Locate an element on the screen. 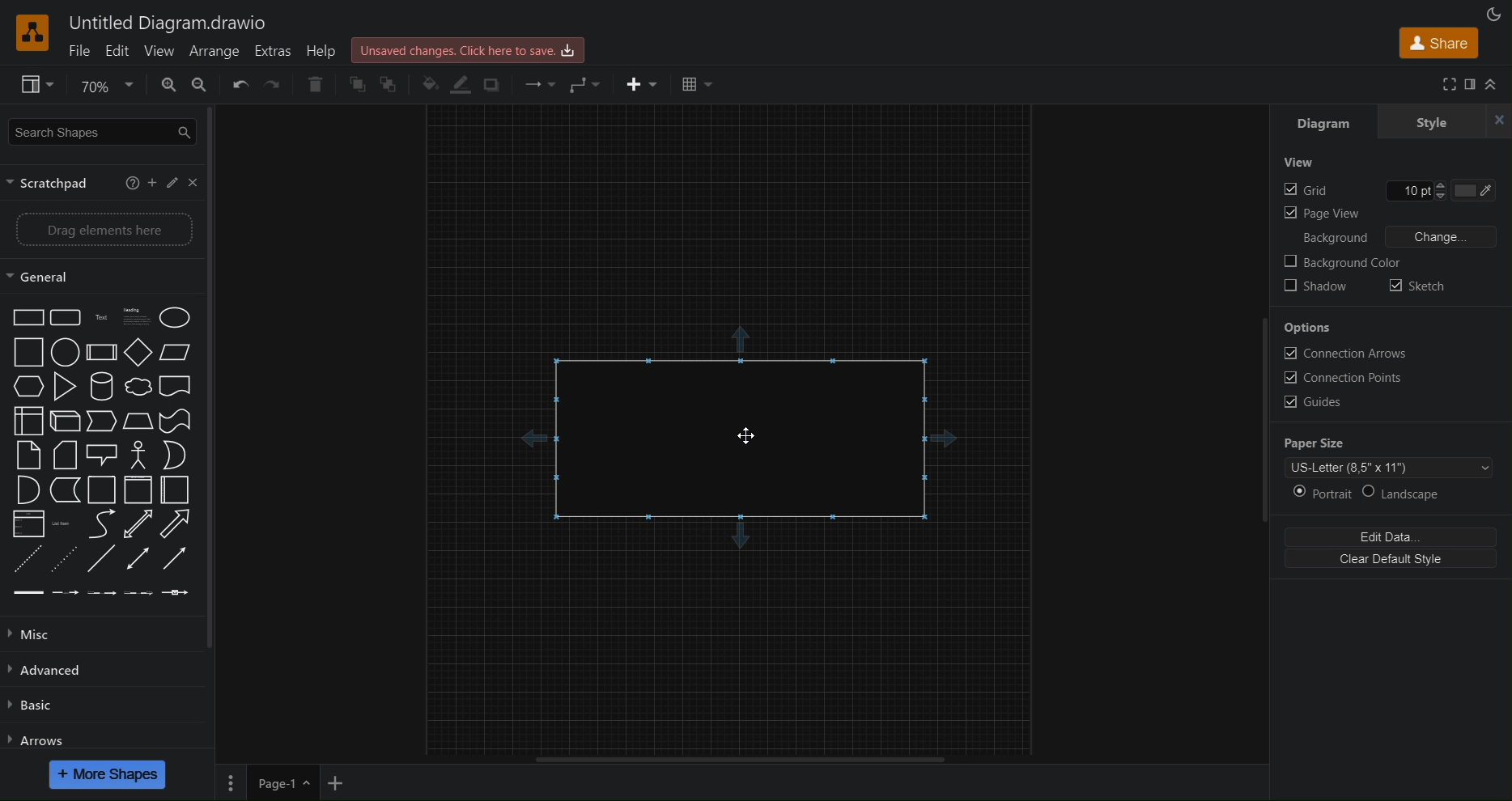  Background is located at coordinates (1331, 239).